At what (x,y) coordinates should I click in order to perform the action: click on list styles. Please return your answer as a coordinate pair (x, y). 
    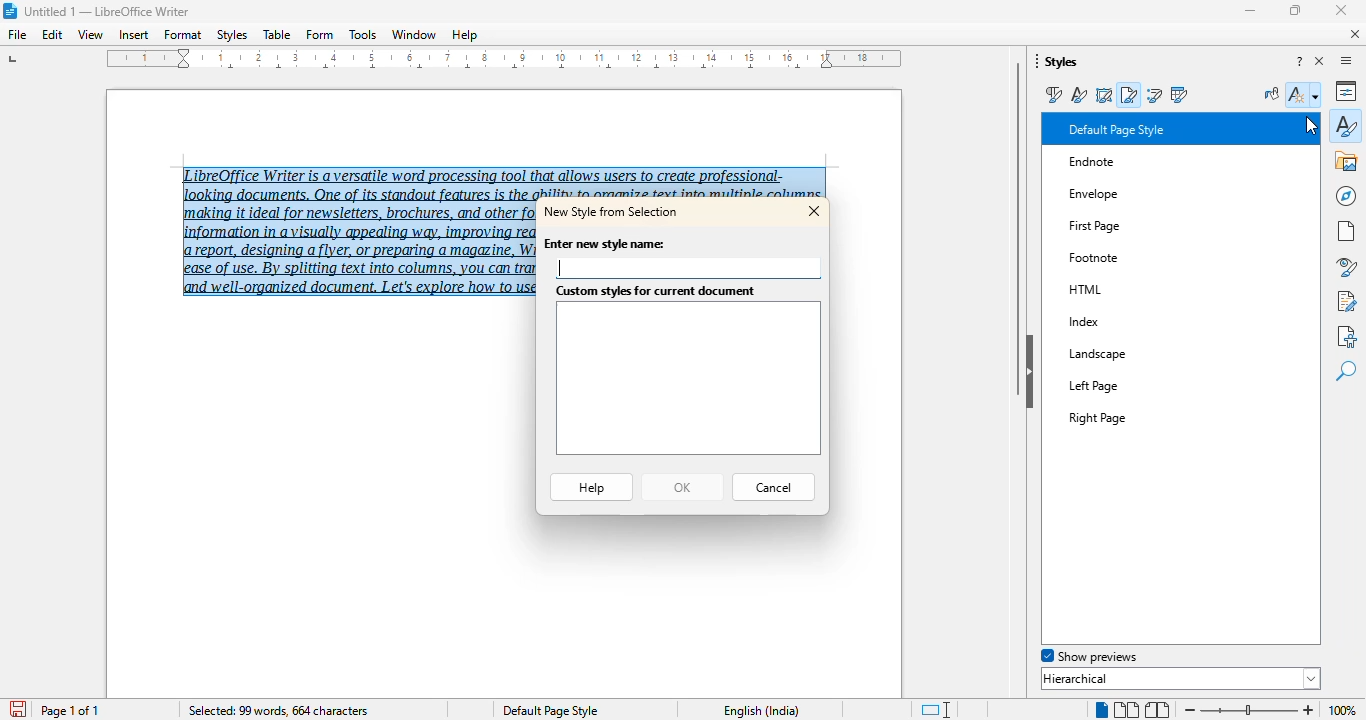
    Looking at the image, I should click on (1155, 94).